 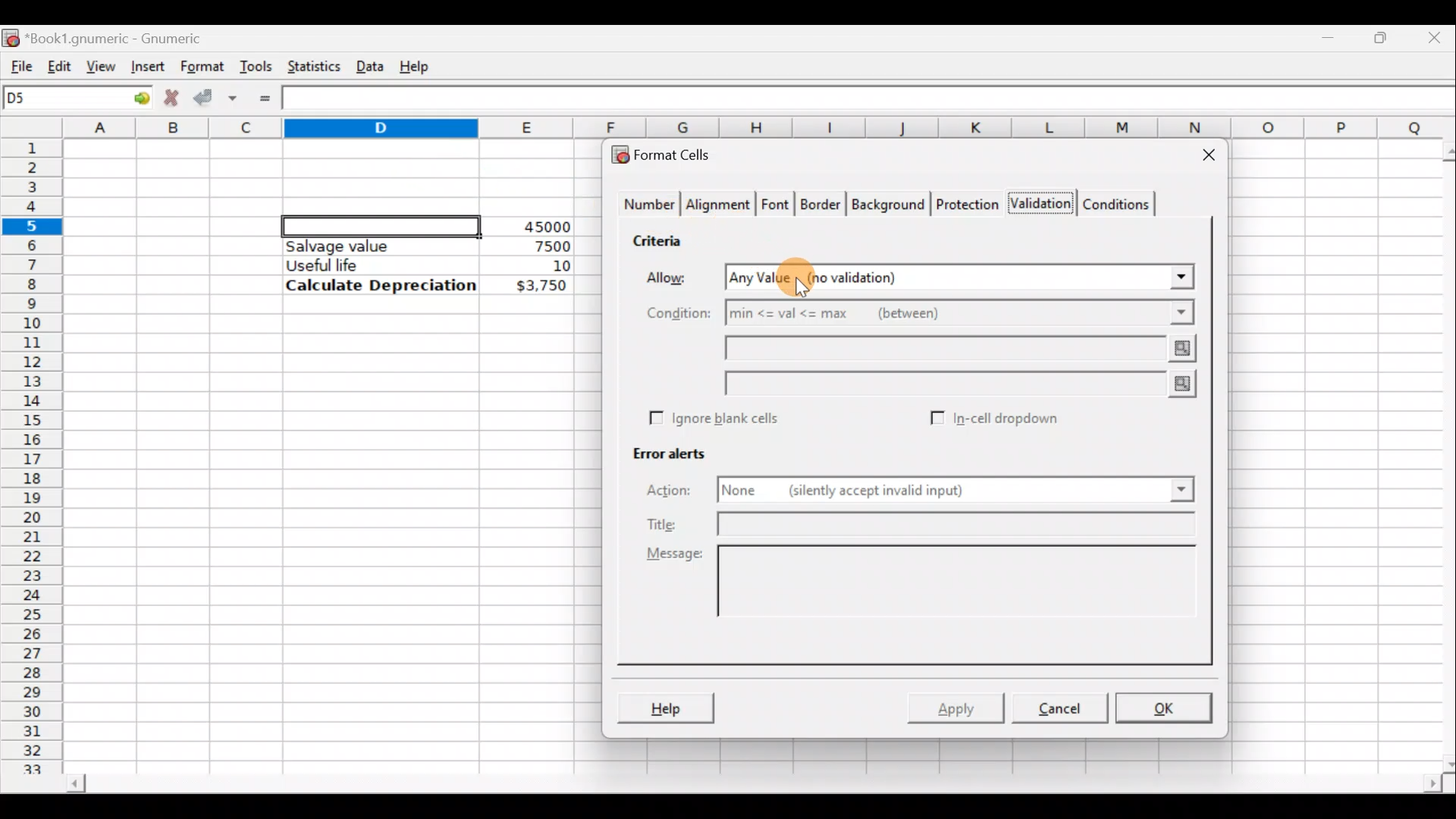 What do you see at coordinates (925, 598) in the screenshot?
I see `Message` at bounding box center [925, 598].